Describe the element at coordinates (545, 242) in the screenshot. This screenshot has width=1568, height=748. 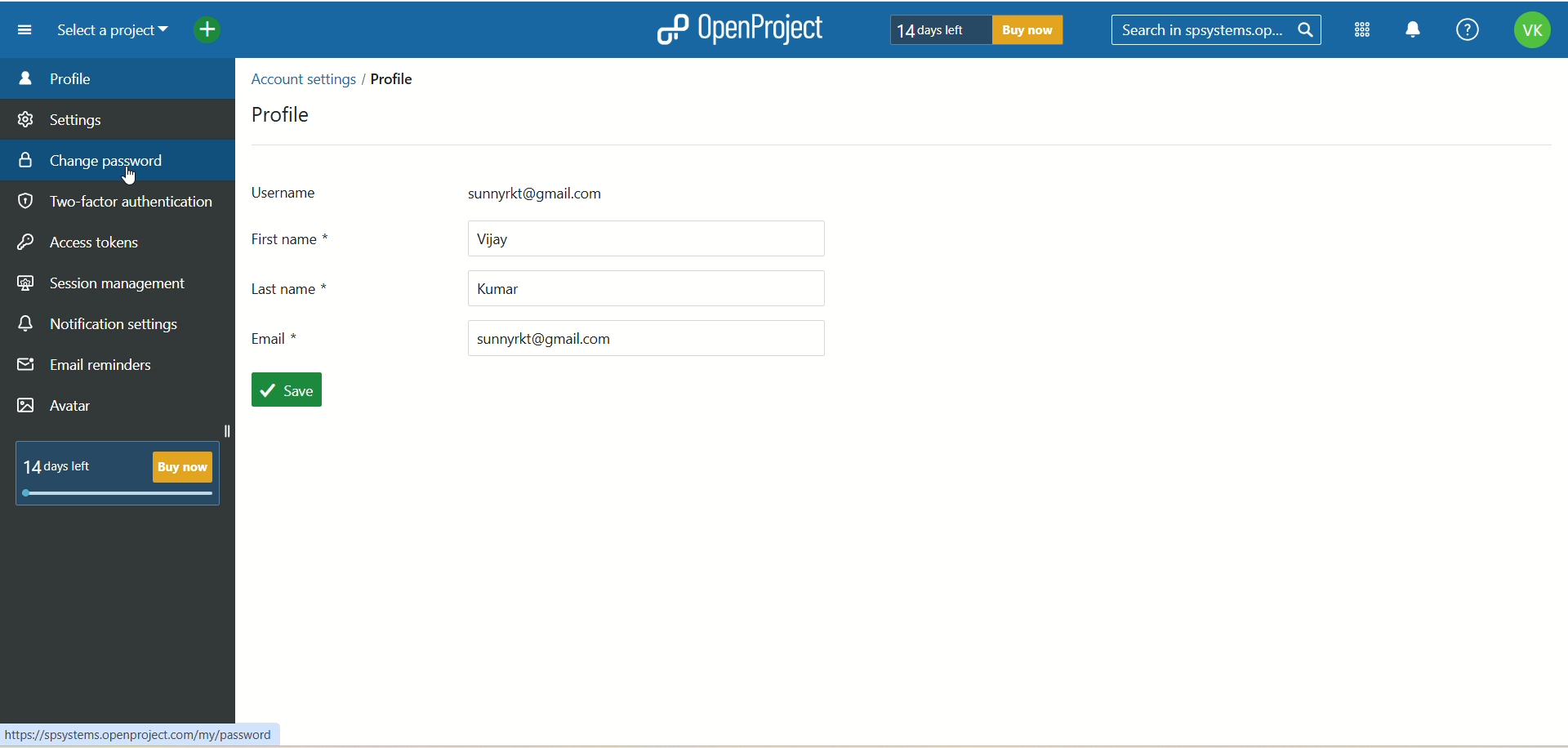
I see `first name` at that location.